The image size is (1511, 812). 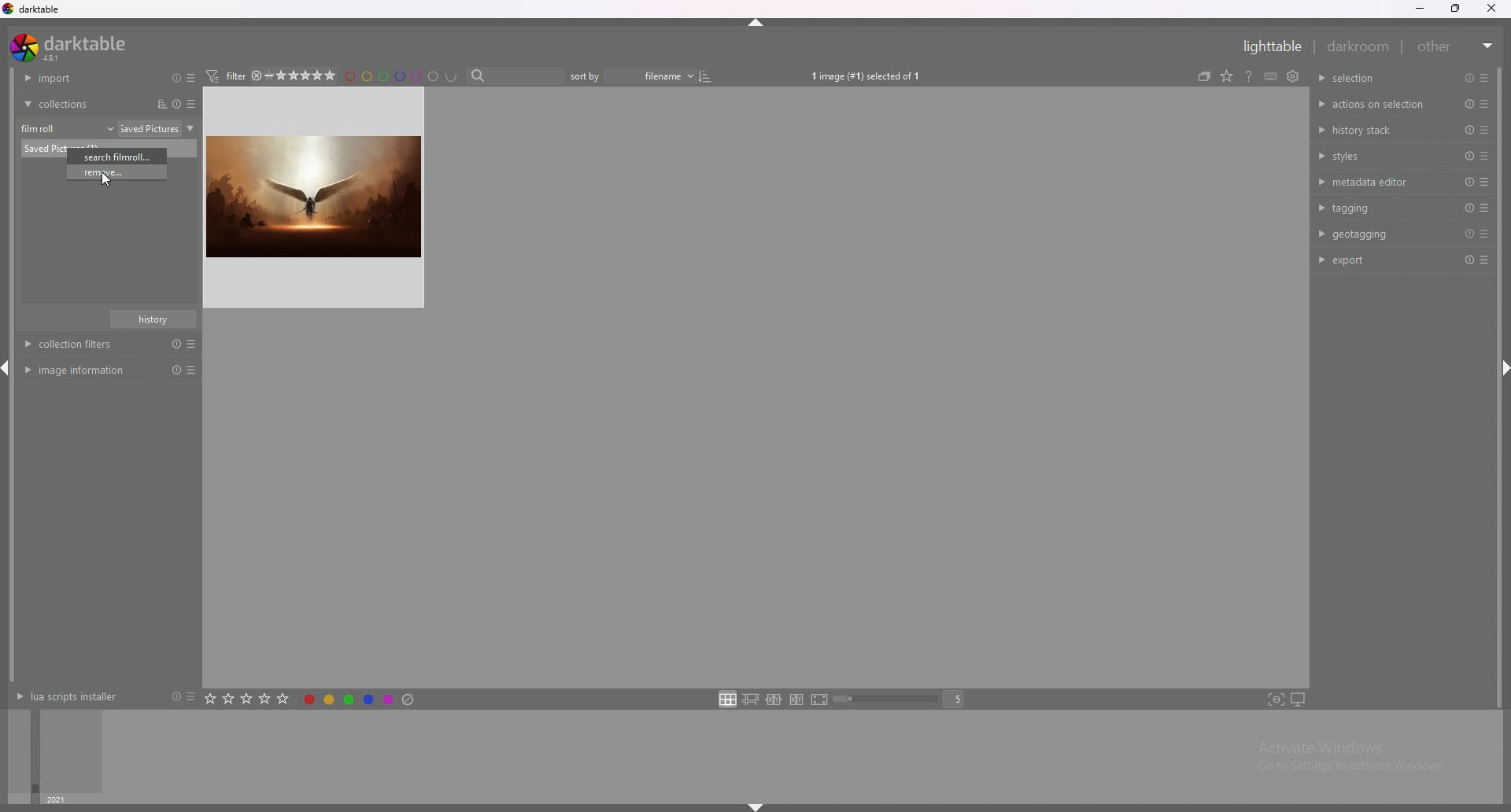 I want to click on reset, so click(x=1468, y=260).